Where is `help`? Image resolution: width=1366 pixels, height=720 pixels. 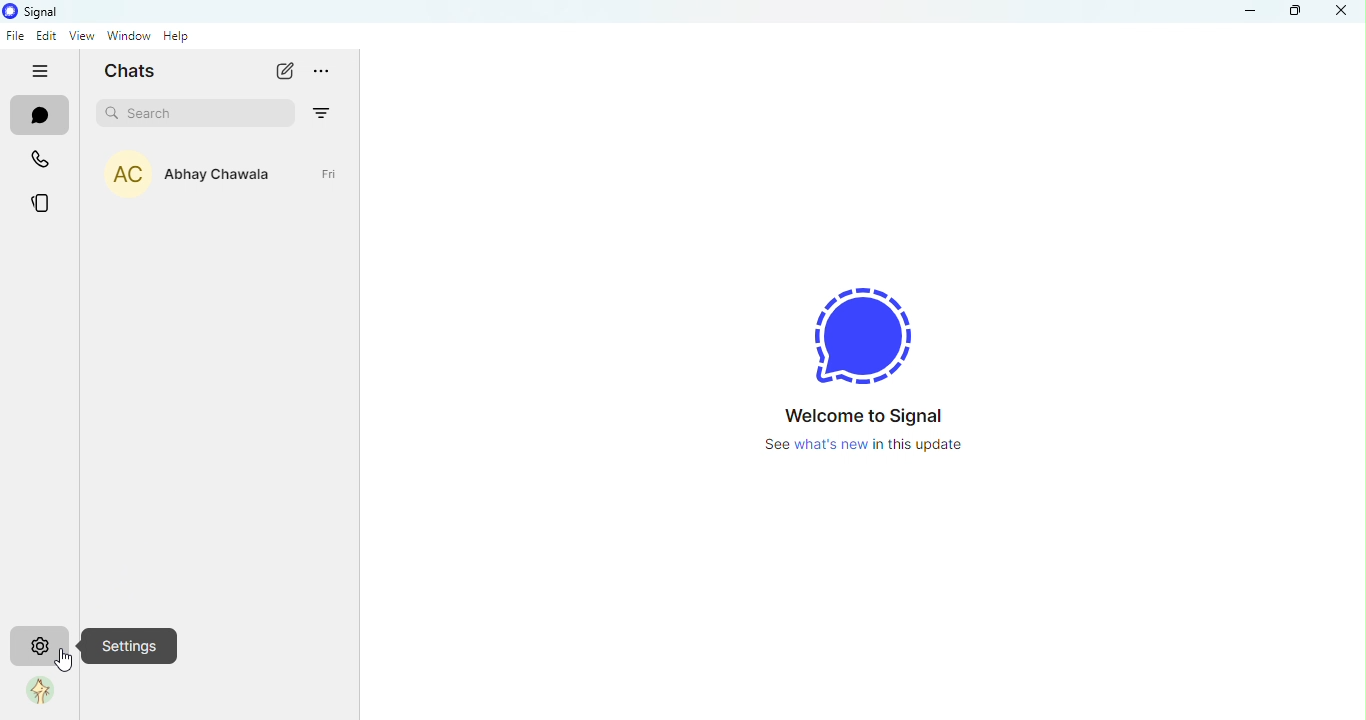
help is located at coordinates (177, 40).